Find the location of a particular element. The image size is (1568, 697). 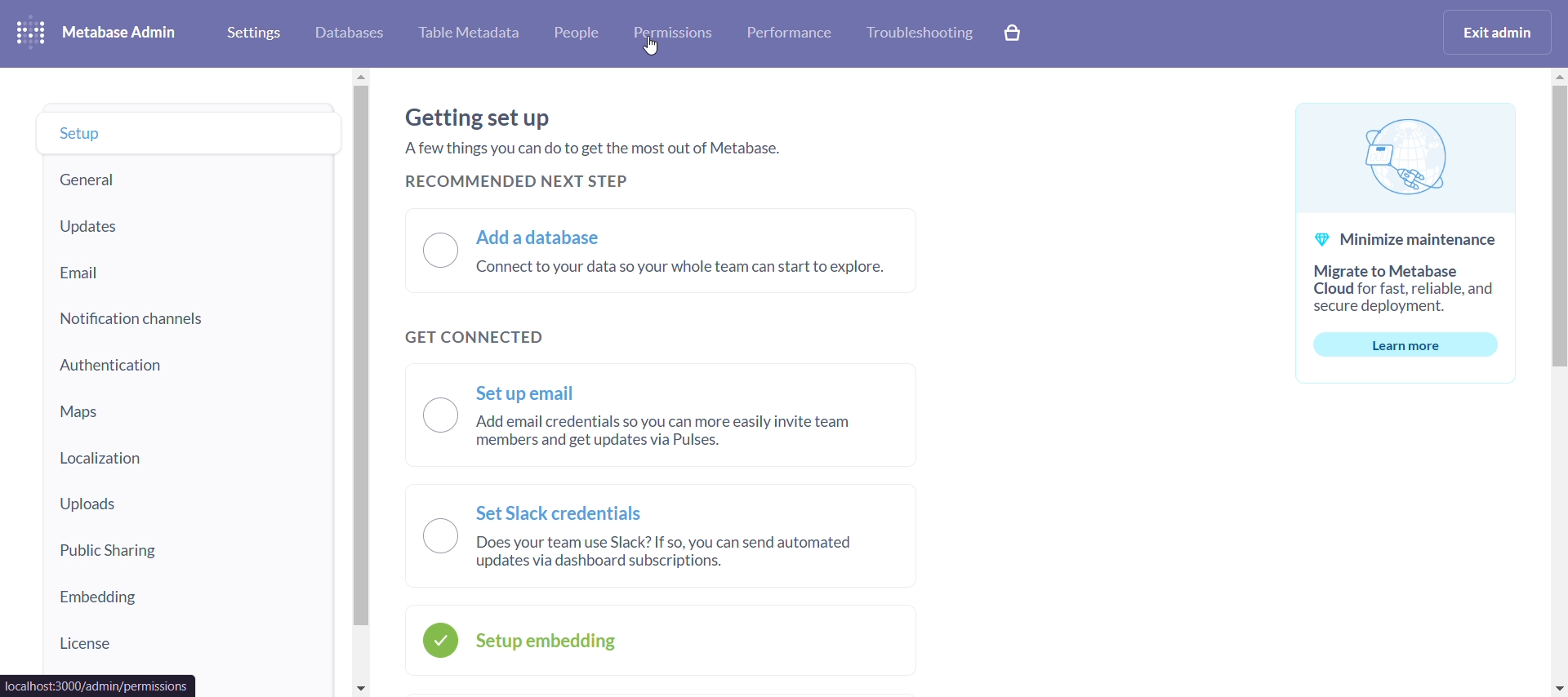

updates is located at coordinates (186, 220).